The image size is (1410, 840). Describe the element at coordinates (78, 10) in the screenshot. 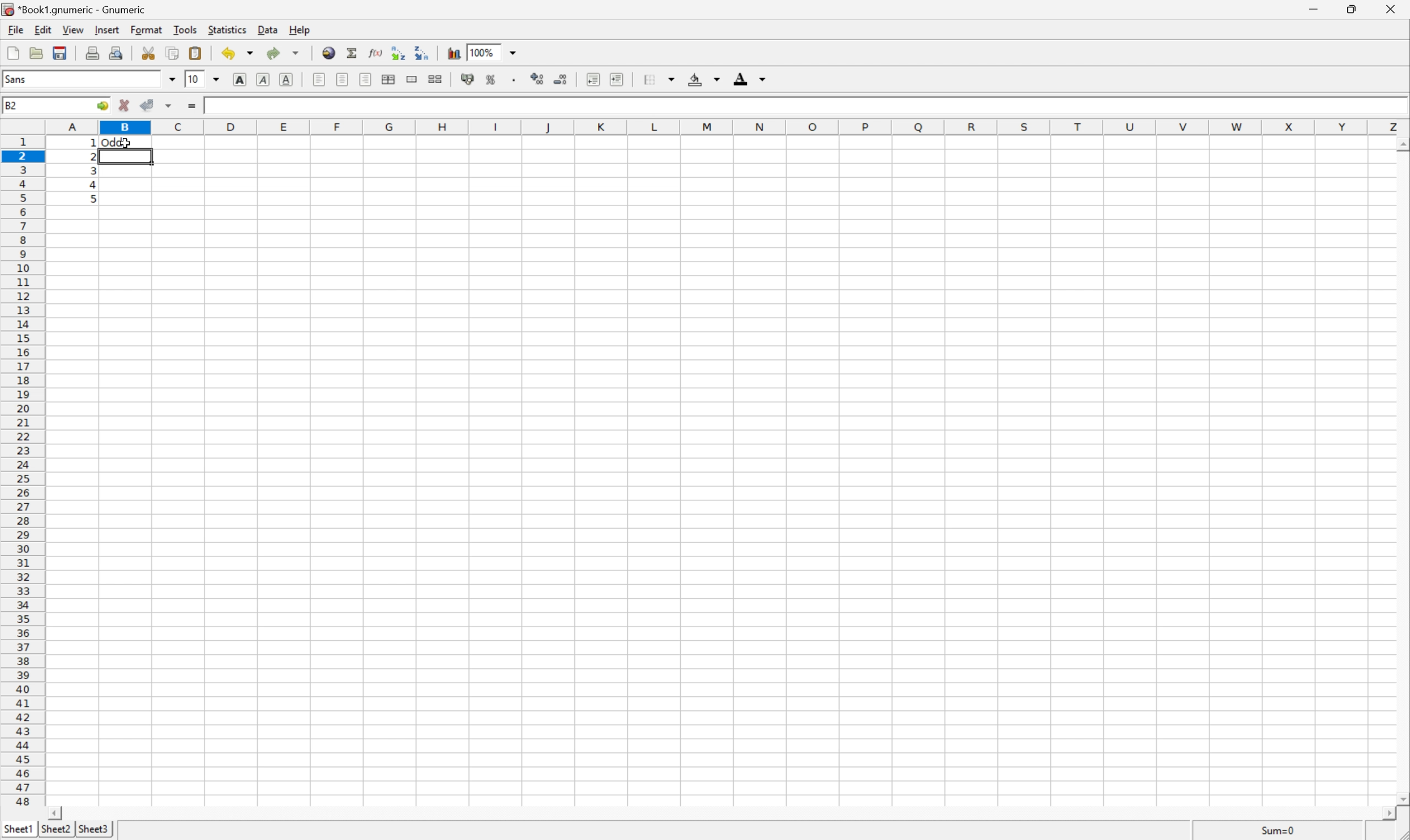

I see `*Book1.gnumeric - Gnumeric` at that location.